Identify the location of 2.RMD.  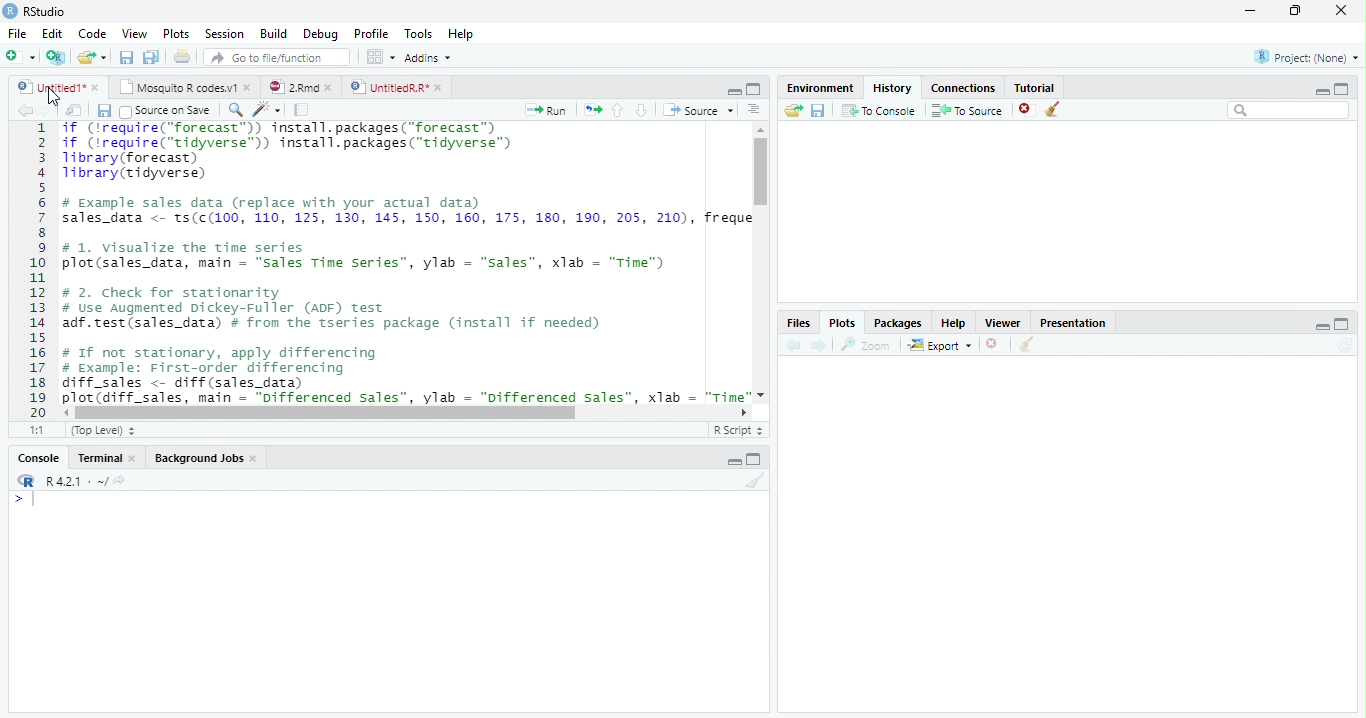
(300, 87).